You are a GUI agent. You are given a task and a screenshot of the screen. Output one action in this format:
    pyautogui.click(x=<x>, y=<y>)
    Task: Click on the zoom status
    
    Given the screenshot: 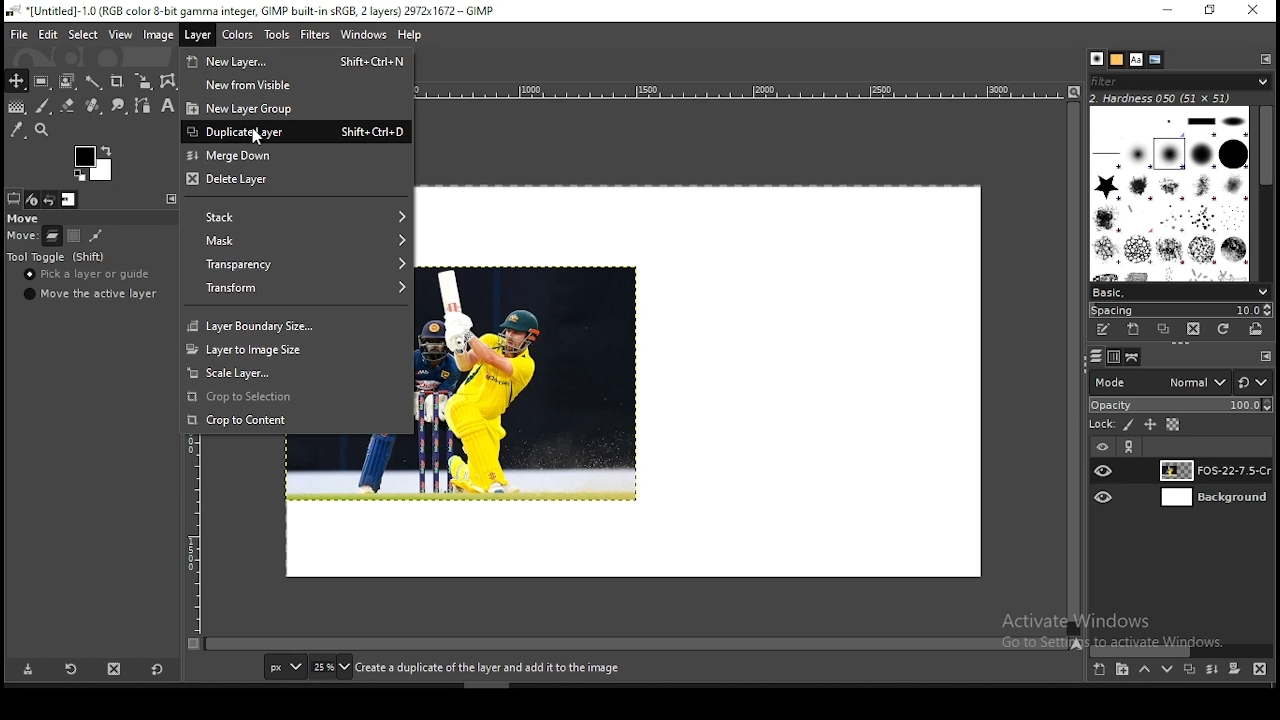 What is the action you would take?
    pyautogui.click(x=331, y=669)
    